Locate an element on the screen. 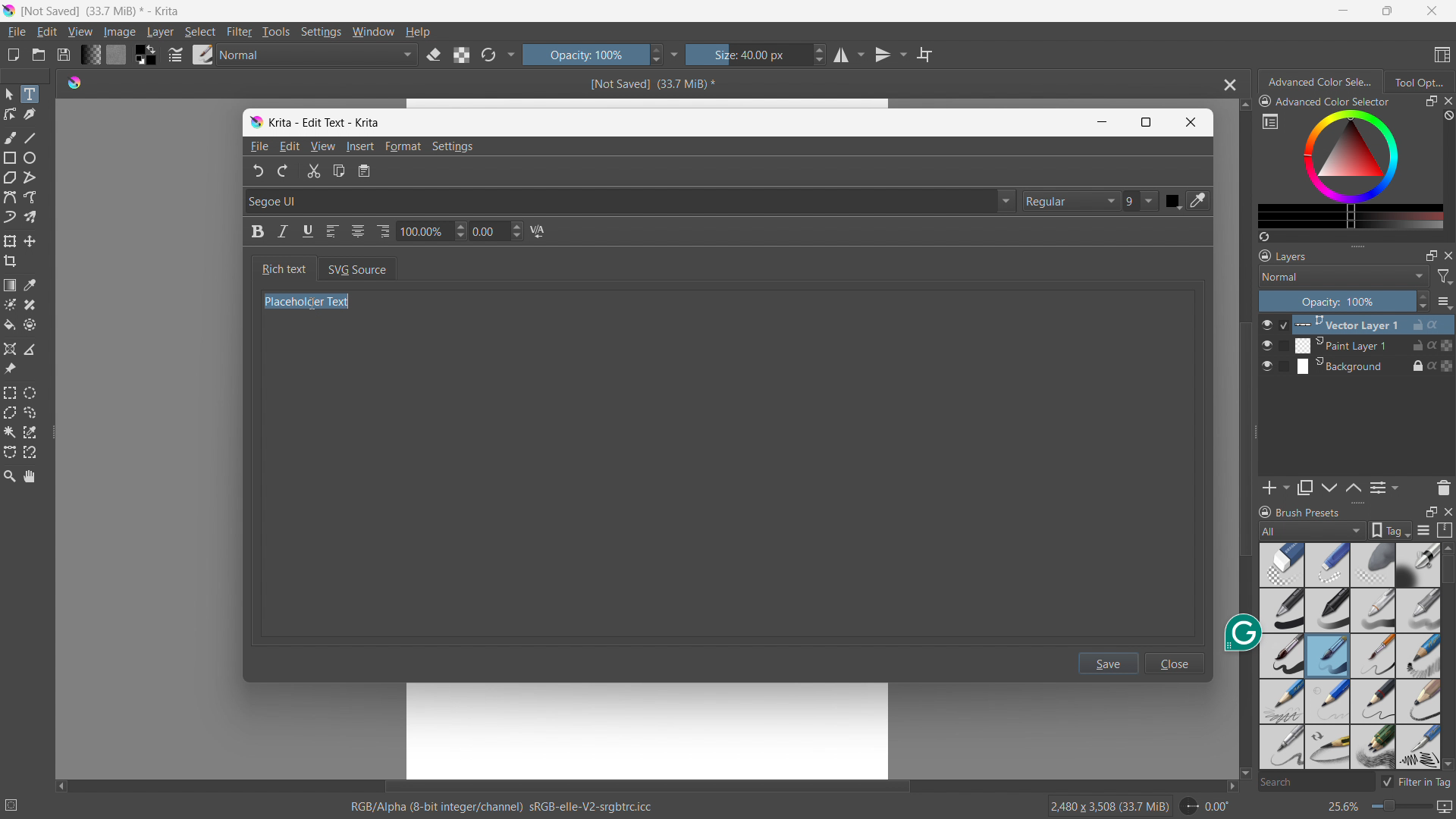 The height and width of the screenshot is (819, 1456). bold pencil is located at coordinates (1420, 702).